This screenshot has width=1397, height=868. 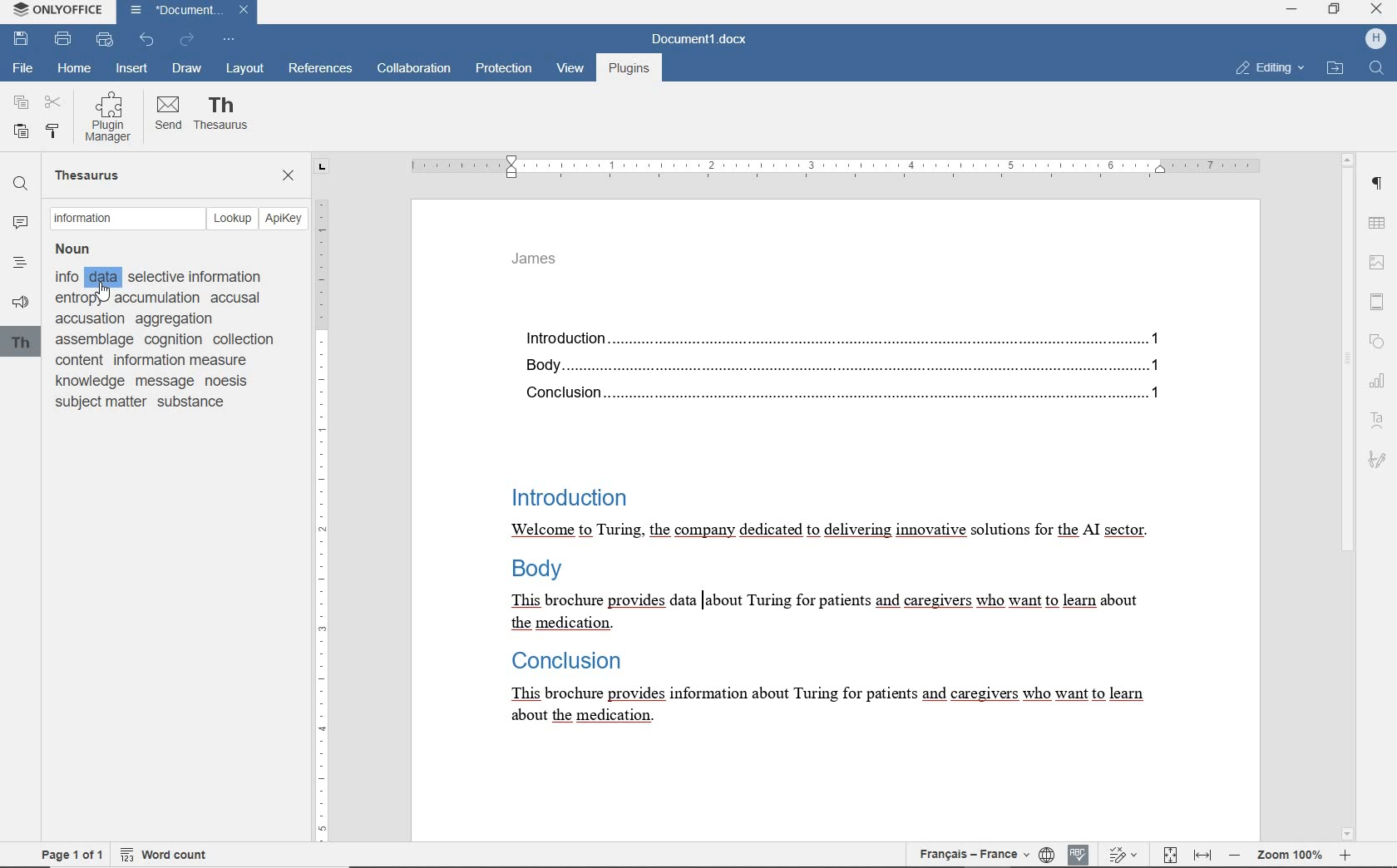 What do you see at coordinates (286, 219) in the screenshot?
I see `APIKEY` at bounding box center [286, 219].